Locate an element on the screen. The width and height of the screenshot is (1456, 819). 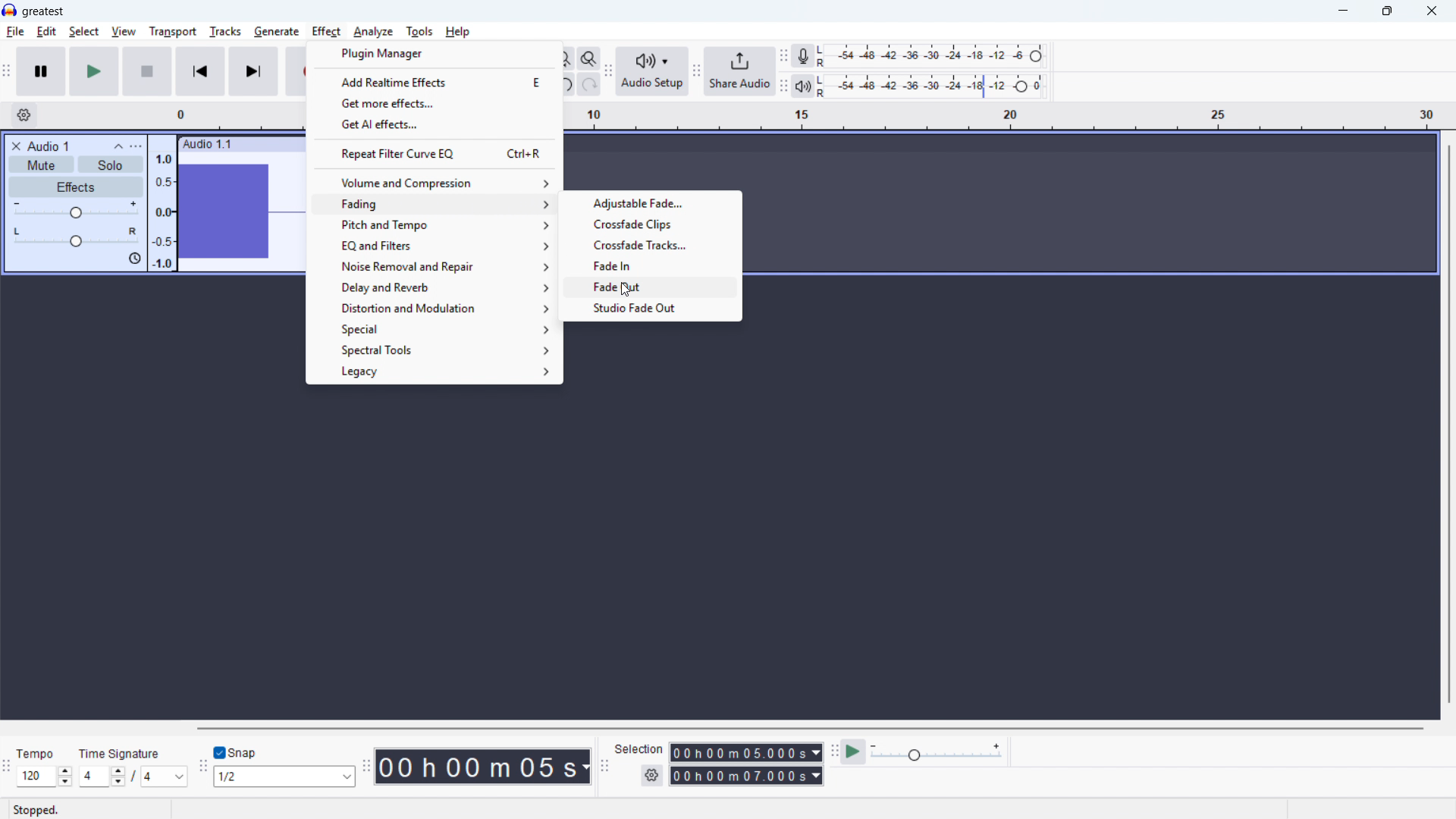
Collapse  is located at coordinates (118, 146).